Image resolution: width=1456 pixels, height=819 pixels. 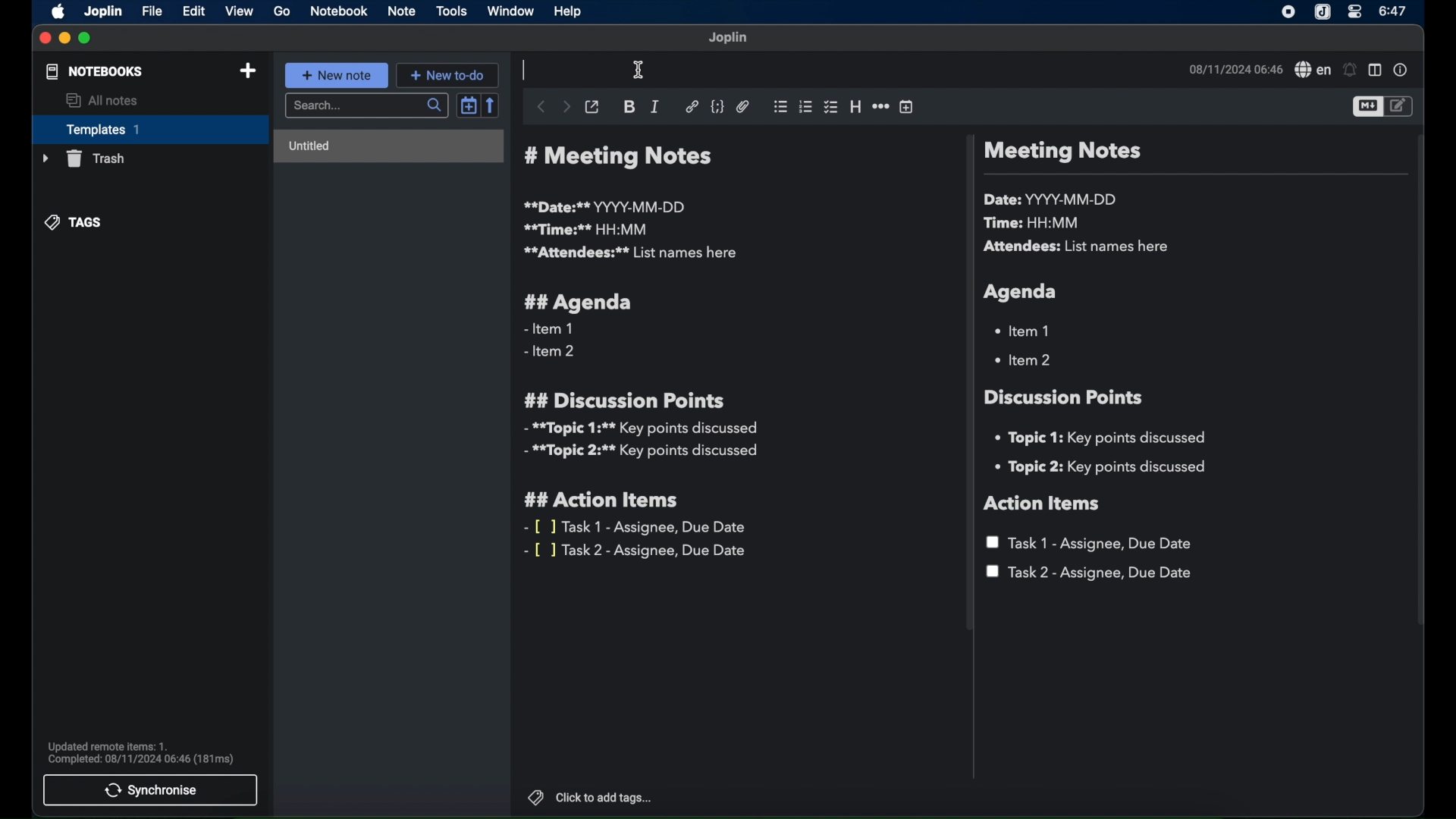 I want to click on tags, so click(x=75, y=222).